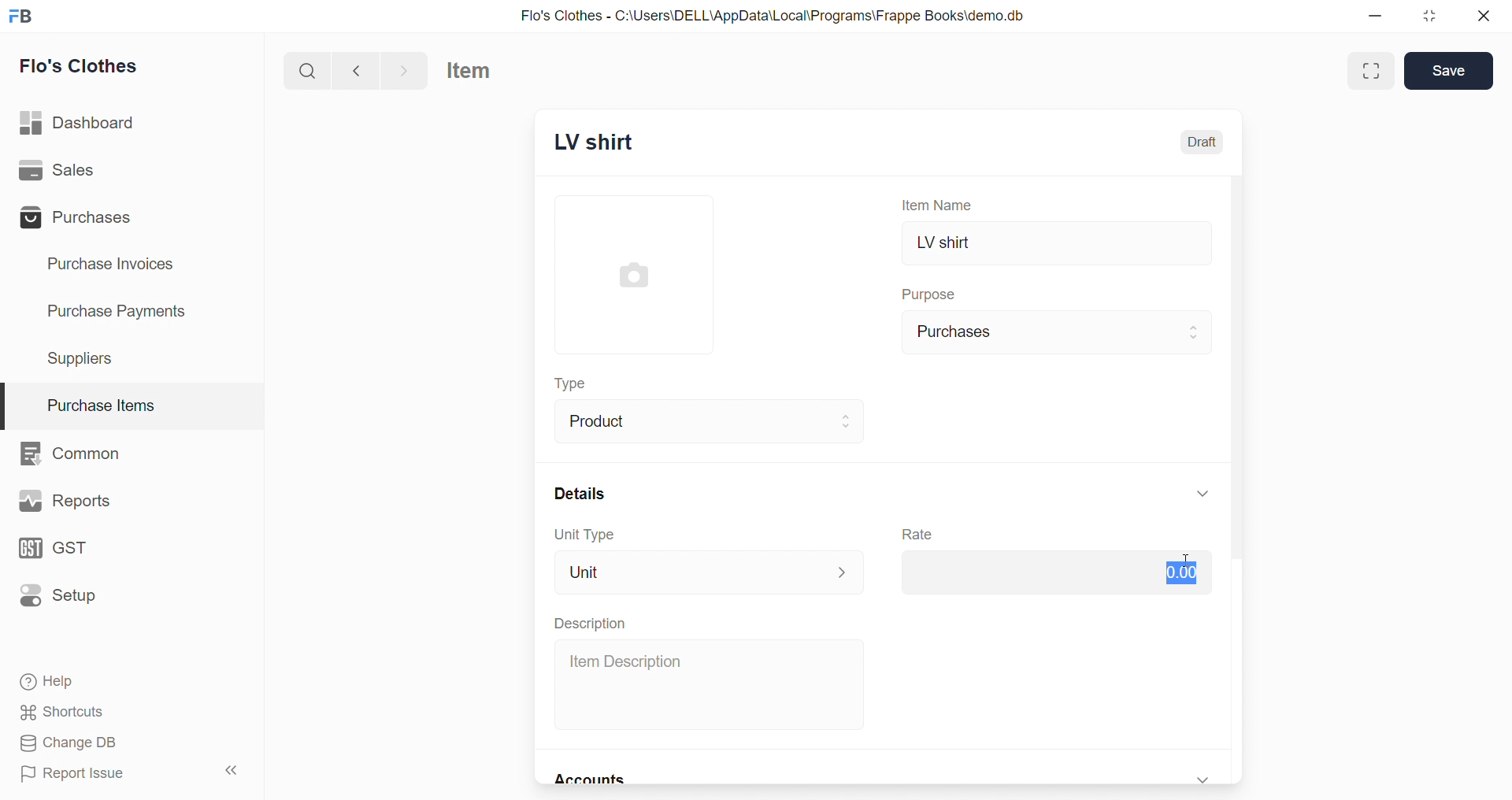  What do you see at coordinates (576, 493) in the screenshot?
I see `Details` at bounding box center [576, 493].